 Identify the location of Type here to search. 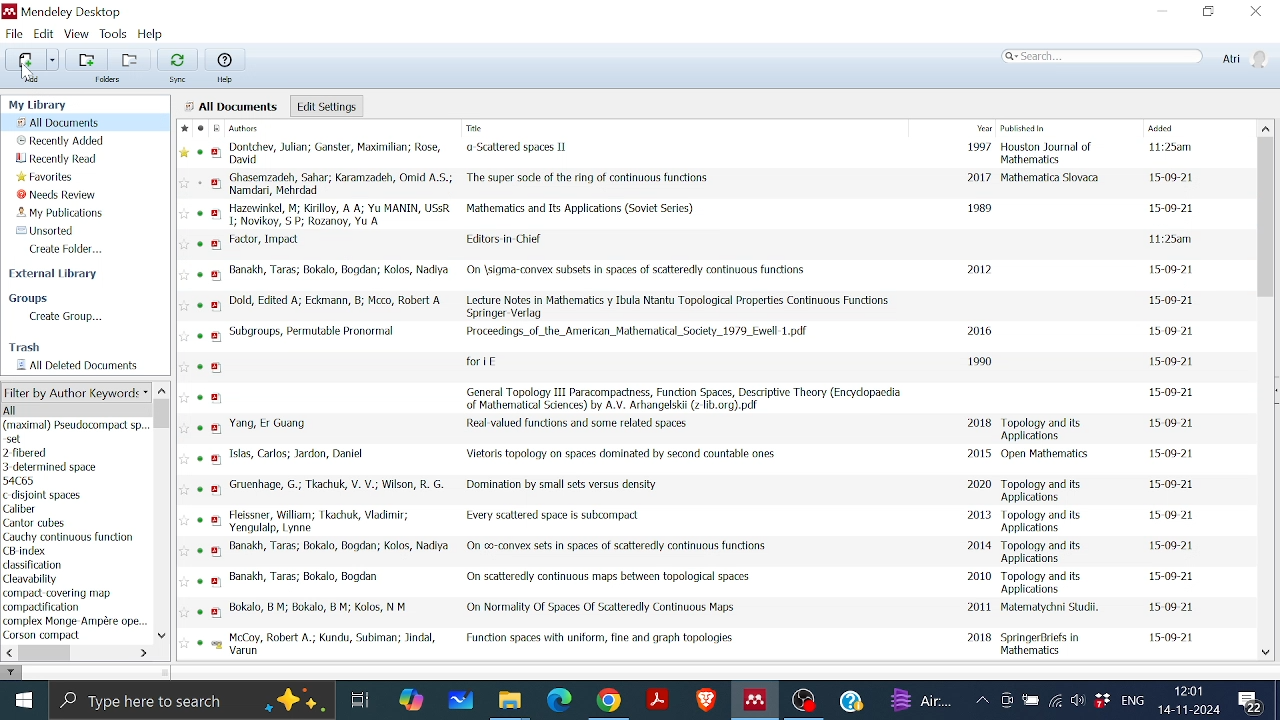
(192, 701).